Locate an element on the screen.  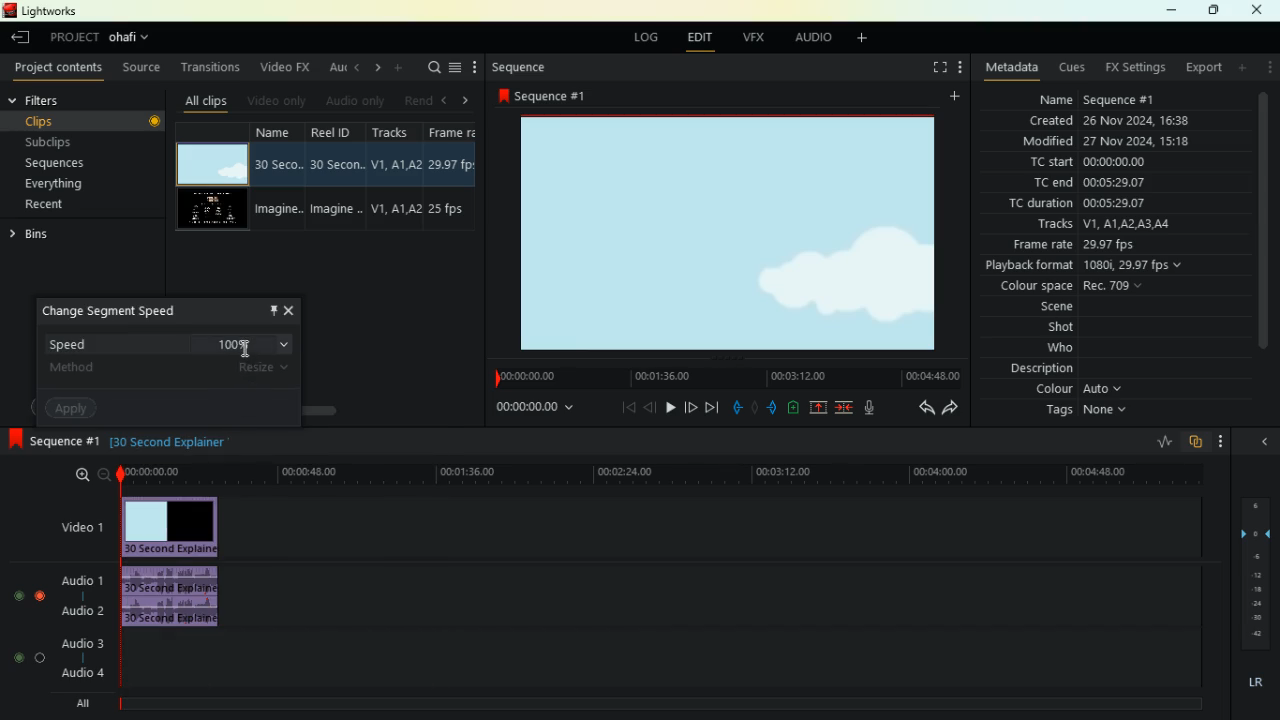
tracks is located at coordinates (396, 177).